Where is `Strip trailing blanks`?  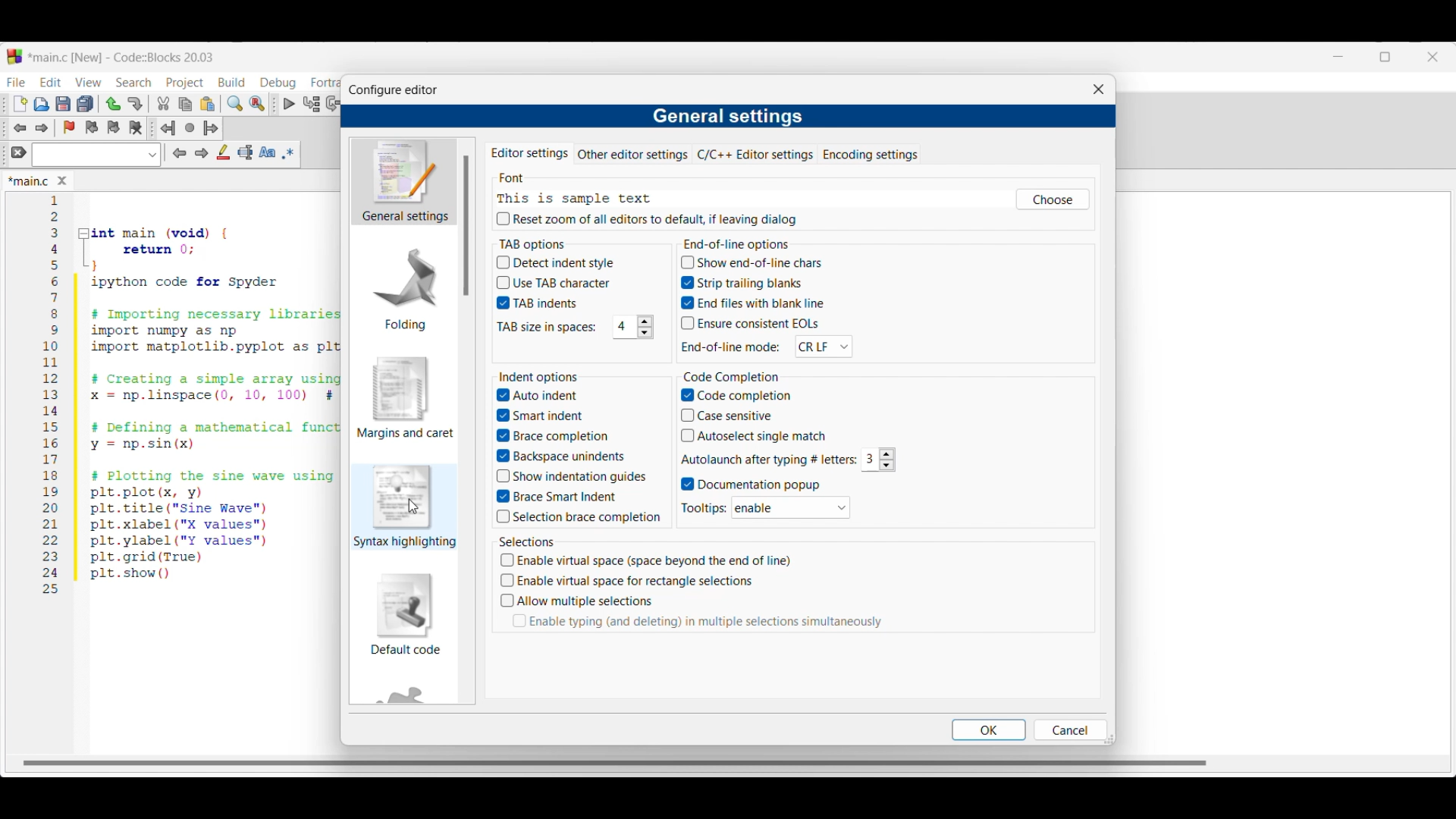 Strip trailing blanks is located at coordinates (741, 281).